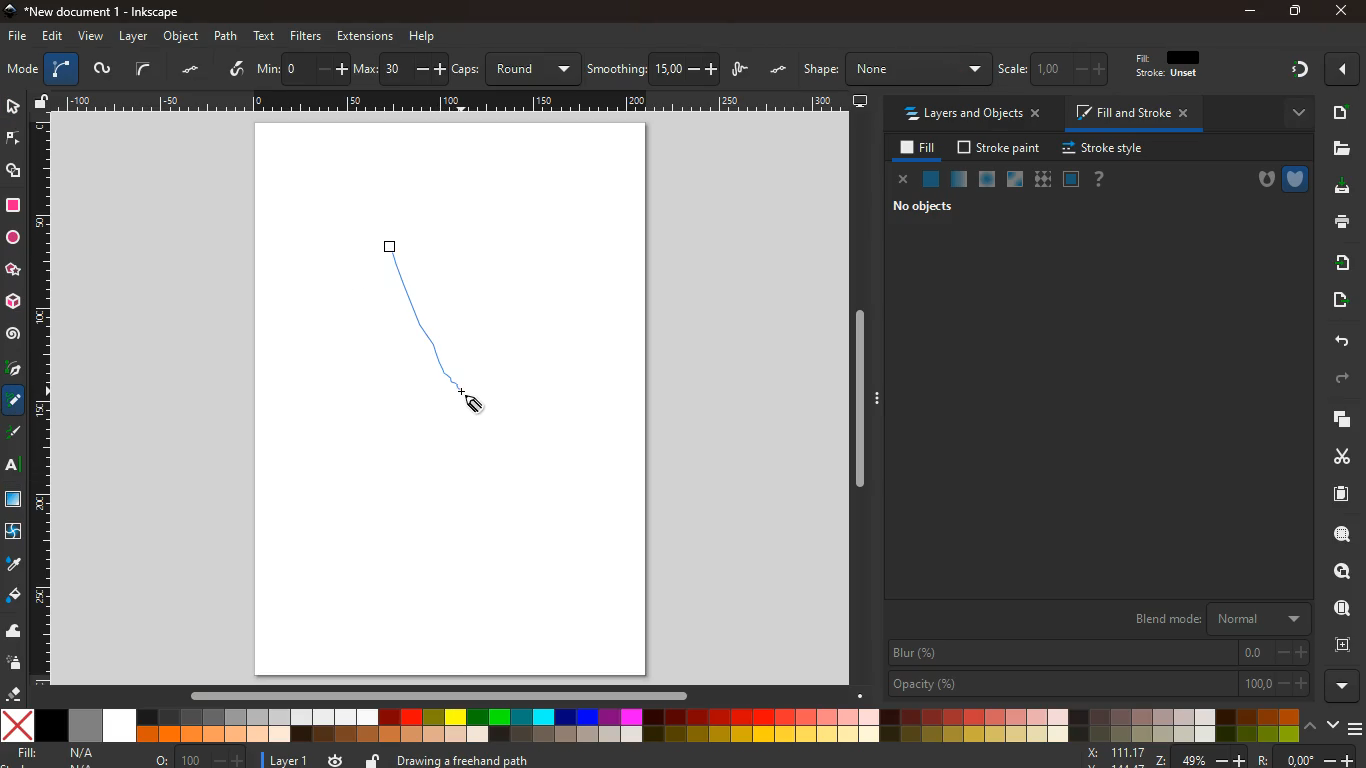  I want to click on layers and objects, so click(971, 113).